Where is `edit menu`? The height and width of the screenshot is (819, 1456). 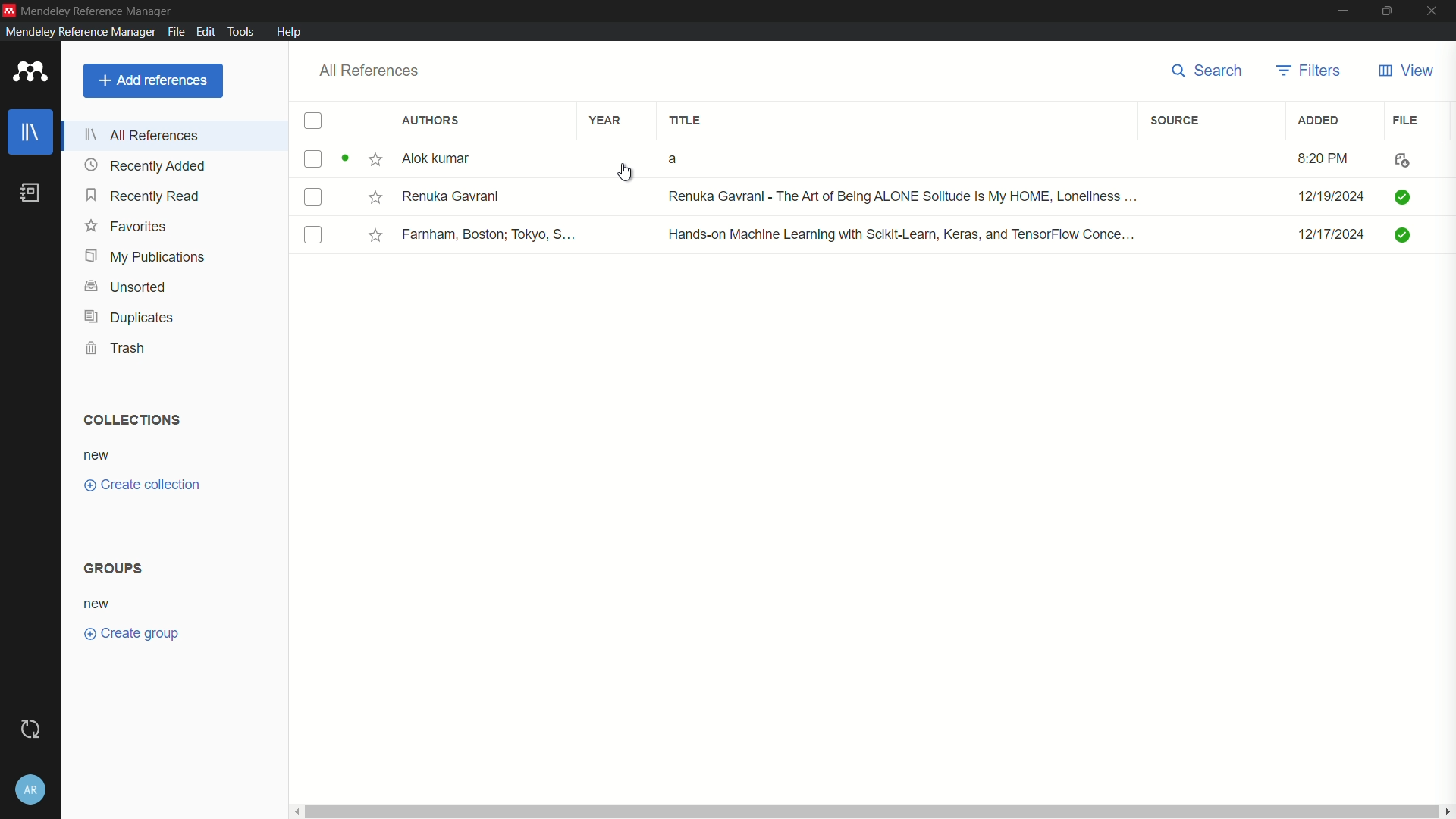
edit menu is located at coordinates (204, 32).